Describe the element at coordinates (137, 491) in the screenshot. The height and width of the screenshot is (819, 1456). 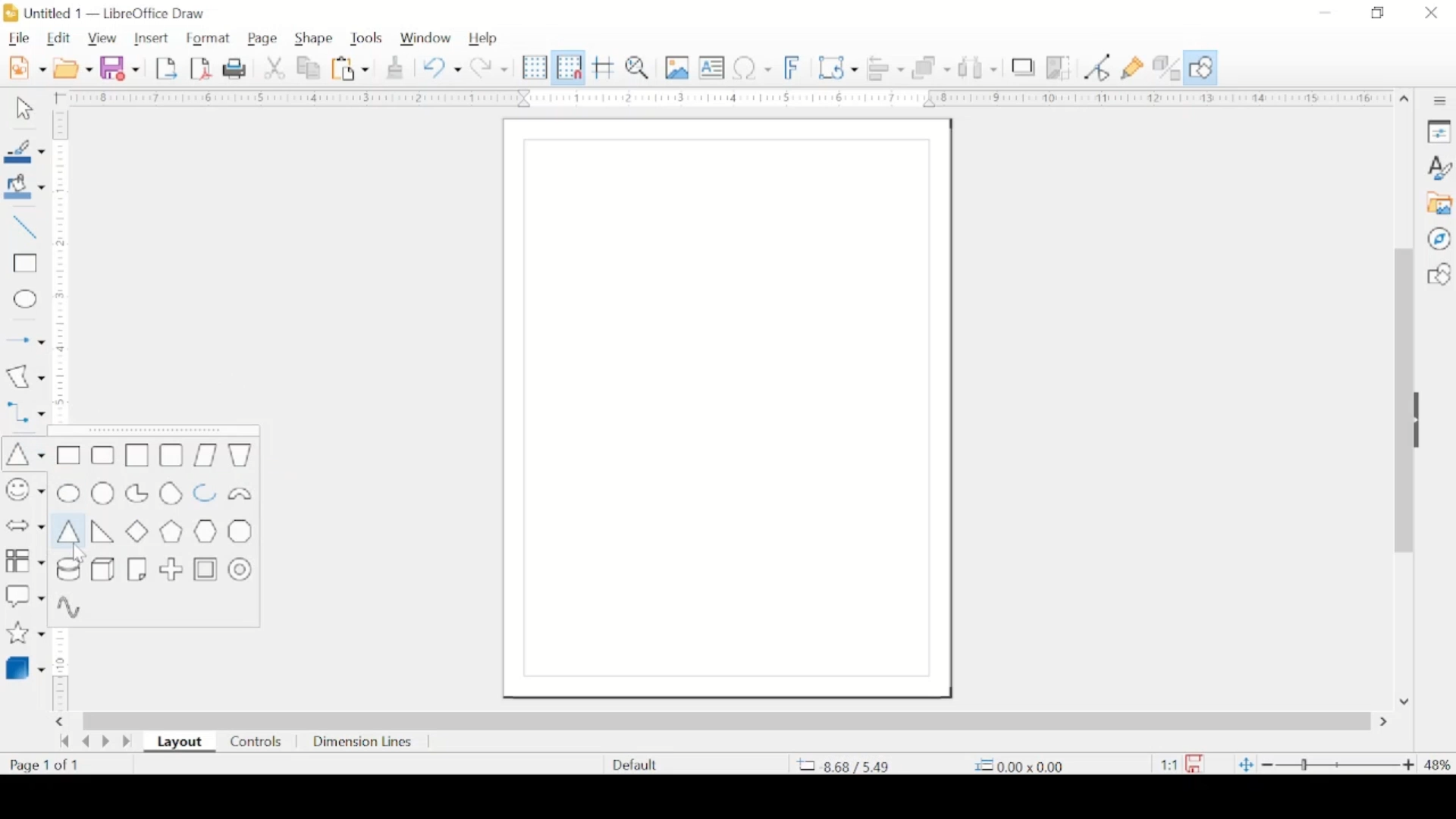
I see `circle pie` at that location.